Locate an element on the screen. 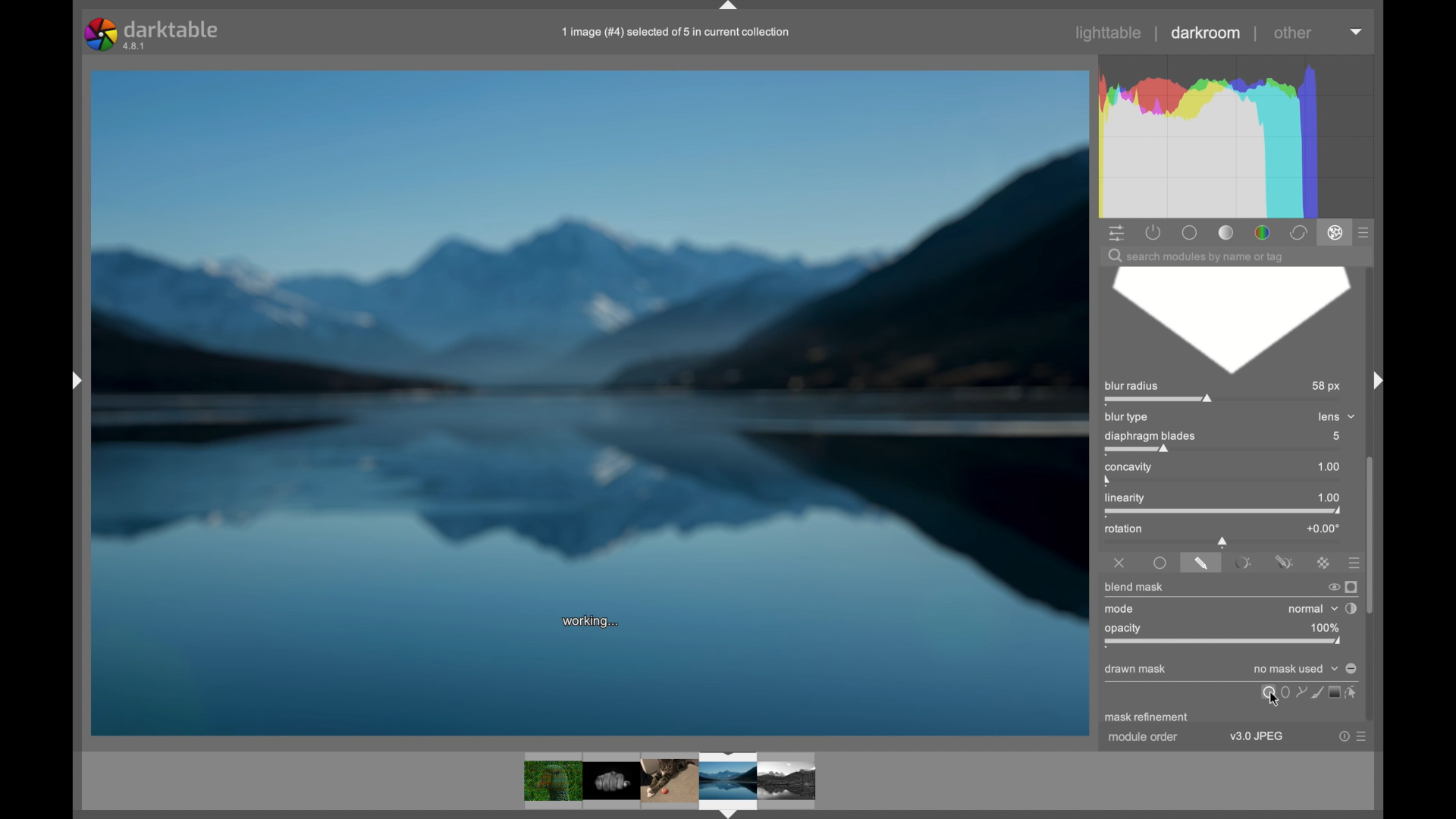  concavity is located at coordinates (1126, 472).